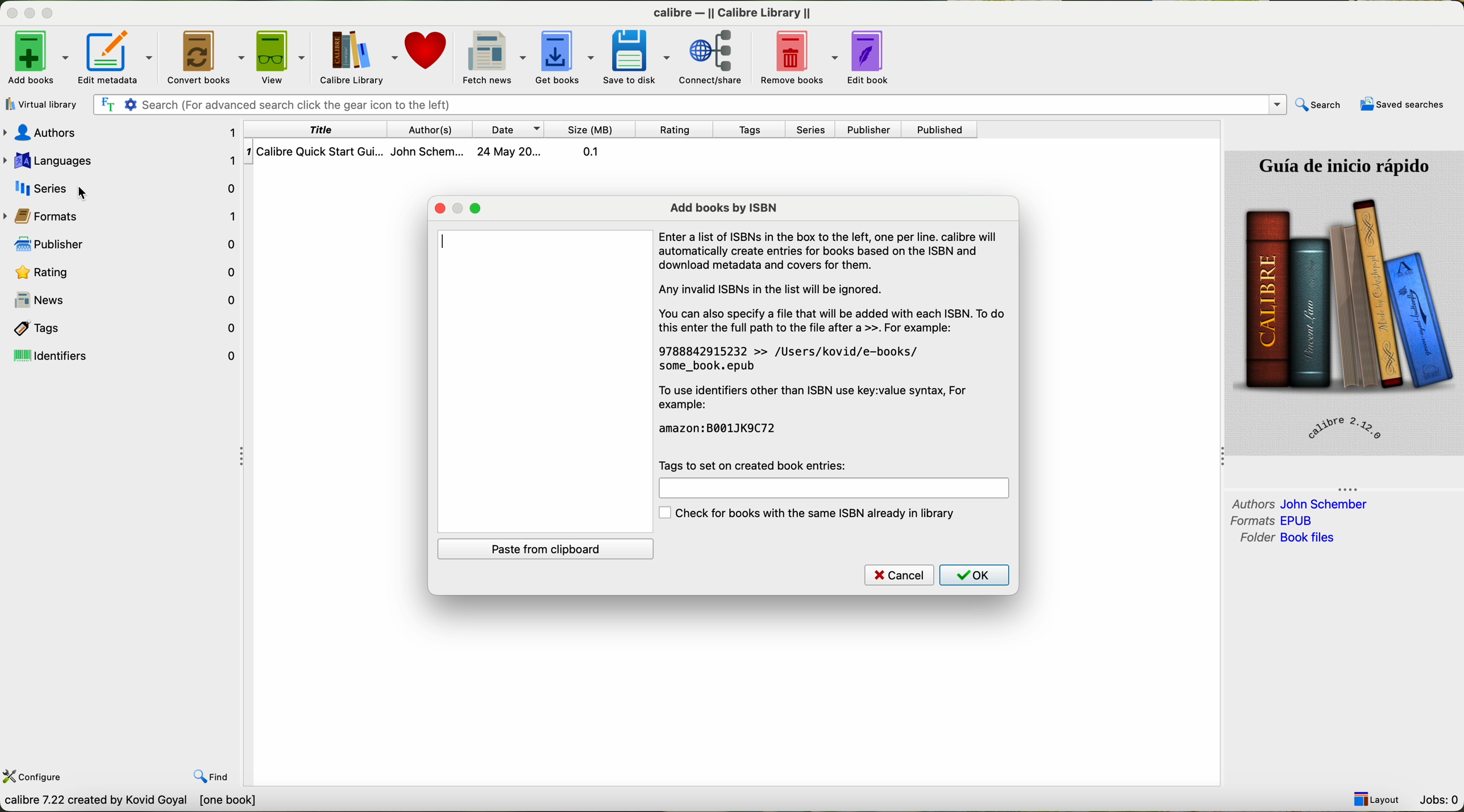 This screenshot has height=812, width=1464. Describe the element at coordinates (567, 57) in the screenshot. I see `get books` at that location.